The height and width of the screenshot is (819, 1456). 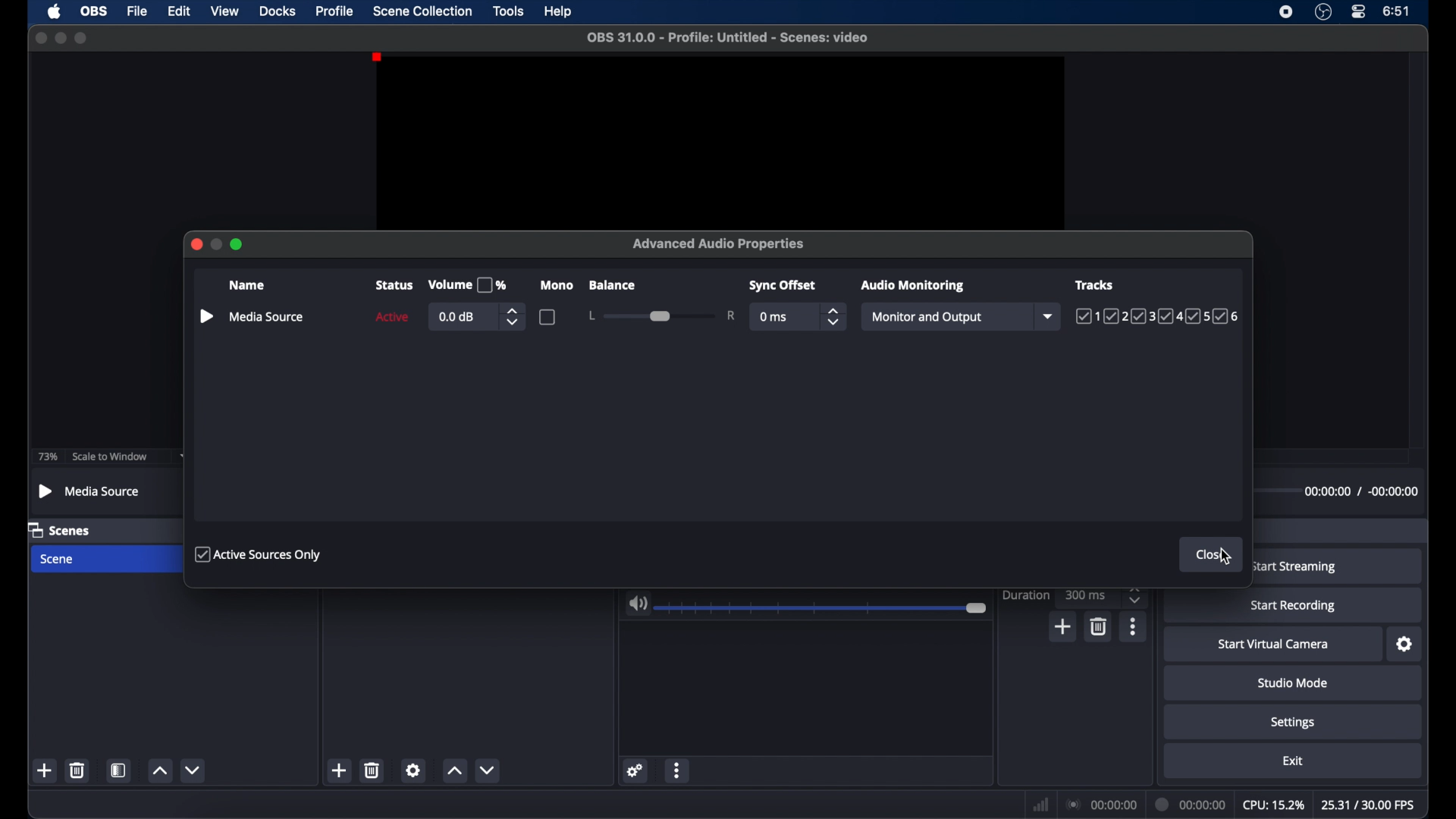 What do you see at coordinates (60, 37) in the screenshot?
I see `minimize` at bounding box center [60, 37].